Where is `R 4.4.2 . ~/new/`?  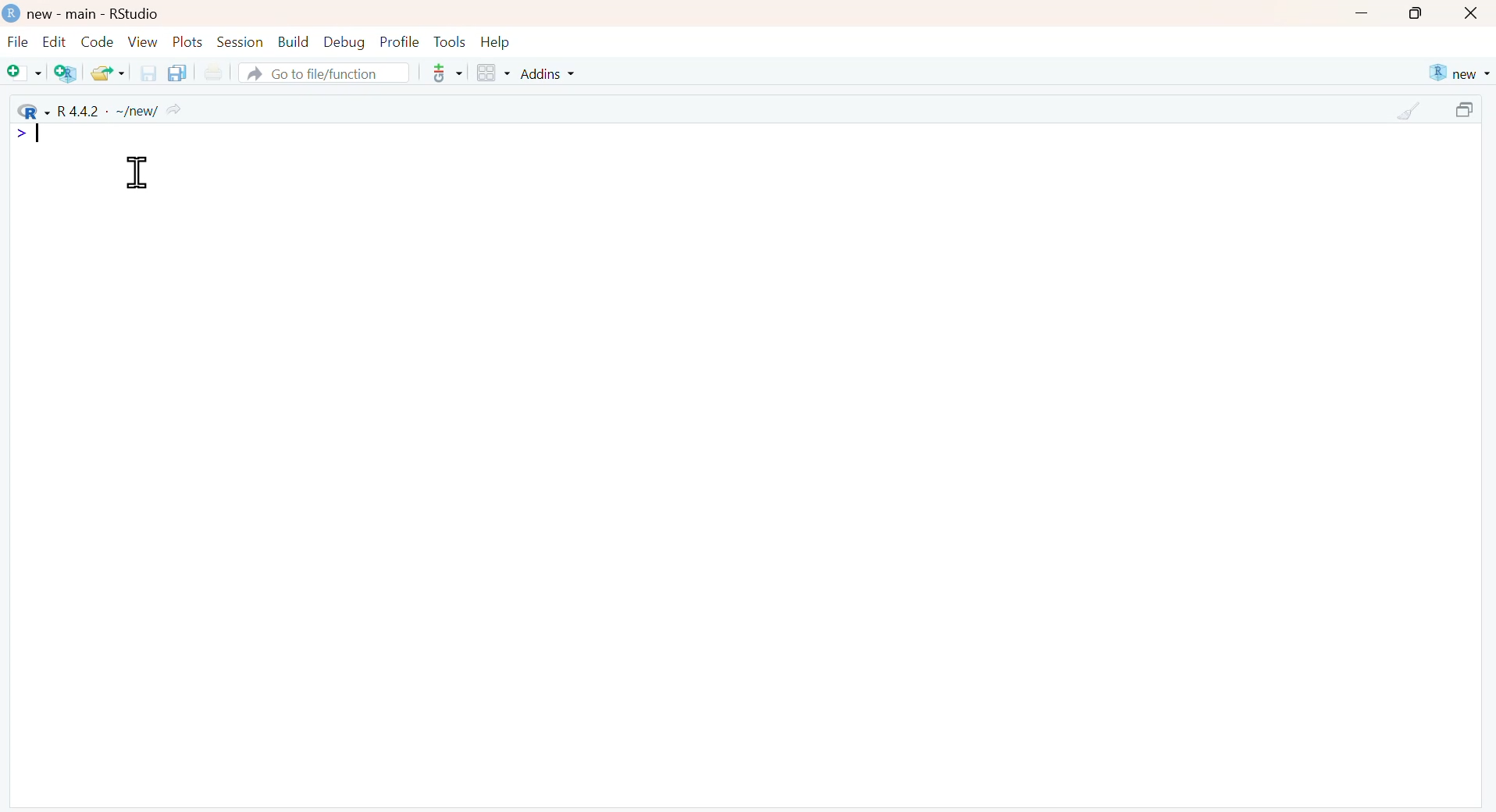
R 4.4.2 . ~/new/ is located at coordinates (101, 110).